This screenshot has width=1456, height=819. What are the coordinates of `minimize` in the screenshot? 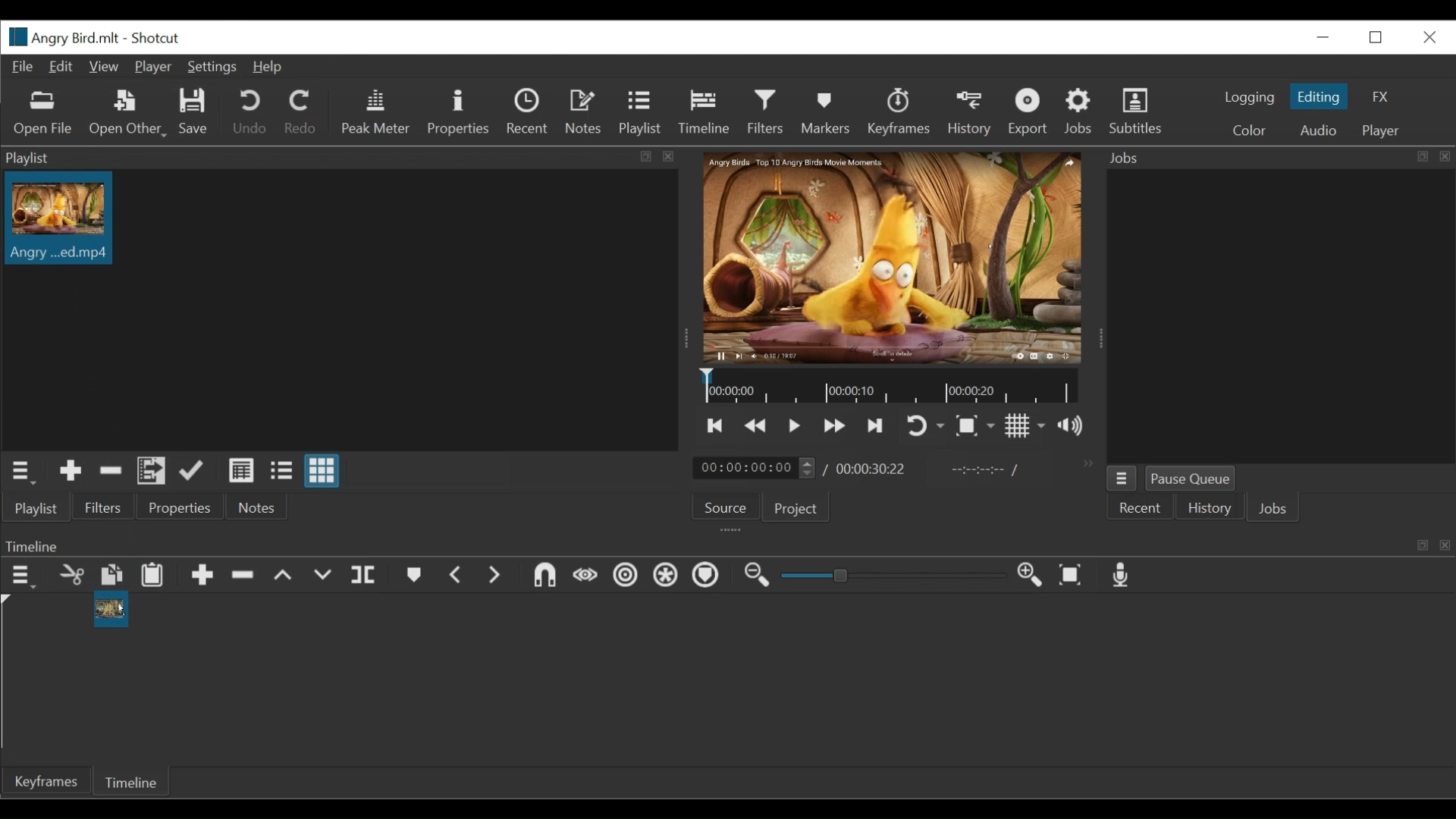 It's located at (1323, 39).